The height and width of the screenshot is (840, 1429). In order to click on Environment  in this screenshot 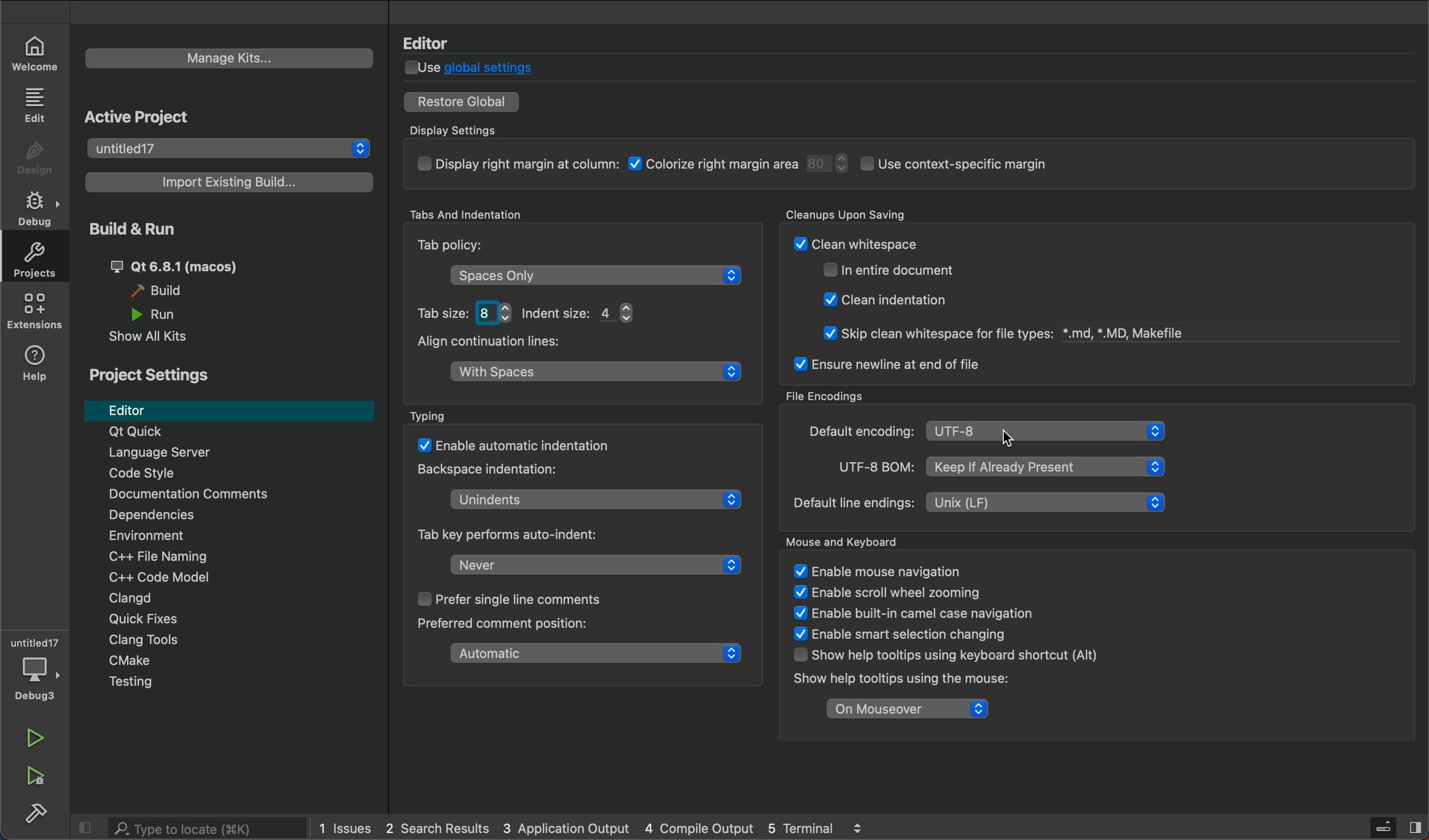, I will do `click(223, 536)`.